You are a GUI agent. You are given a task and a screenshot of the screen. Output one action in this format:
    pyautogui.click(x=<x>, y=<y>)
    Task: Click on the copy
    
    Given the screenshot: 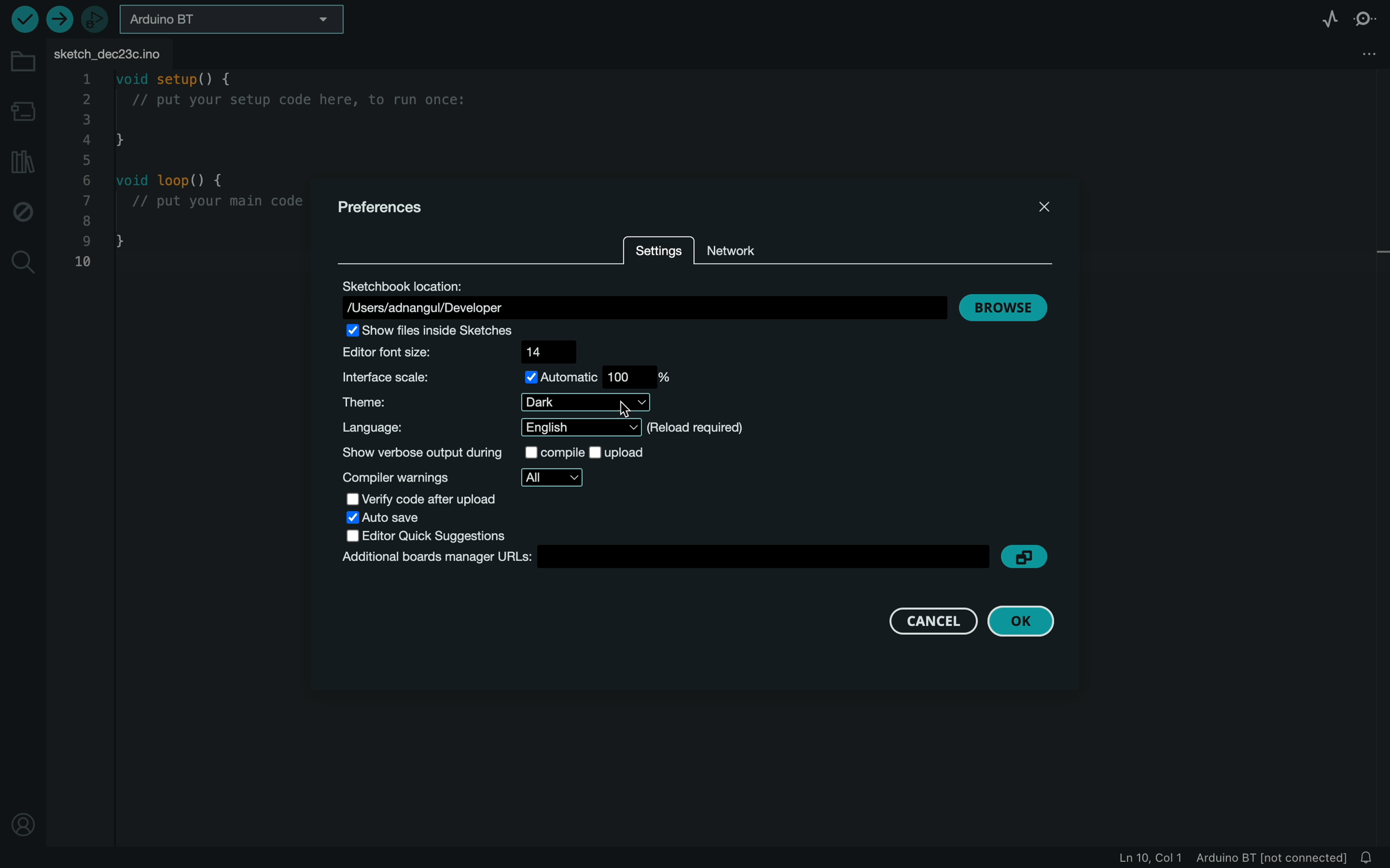 What is the action you would take?
    pyautogui.click(x=1025, y=557)
    